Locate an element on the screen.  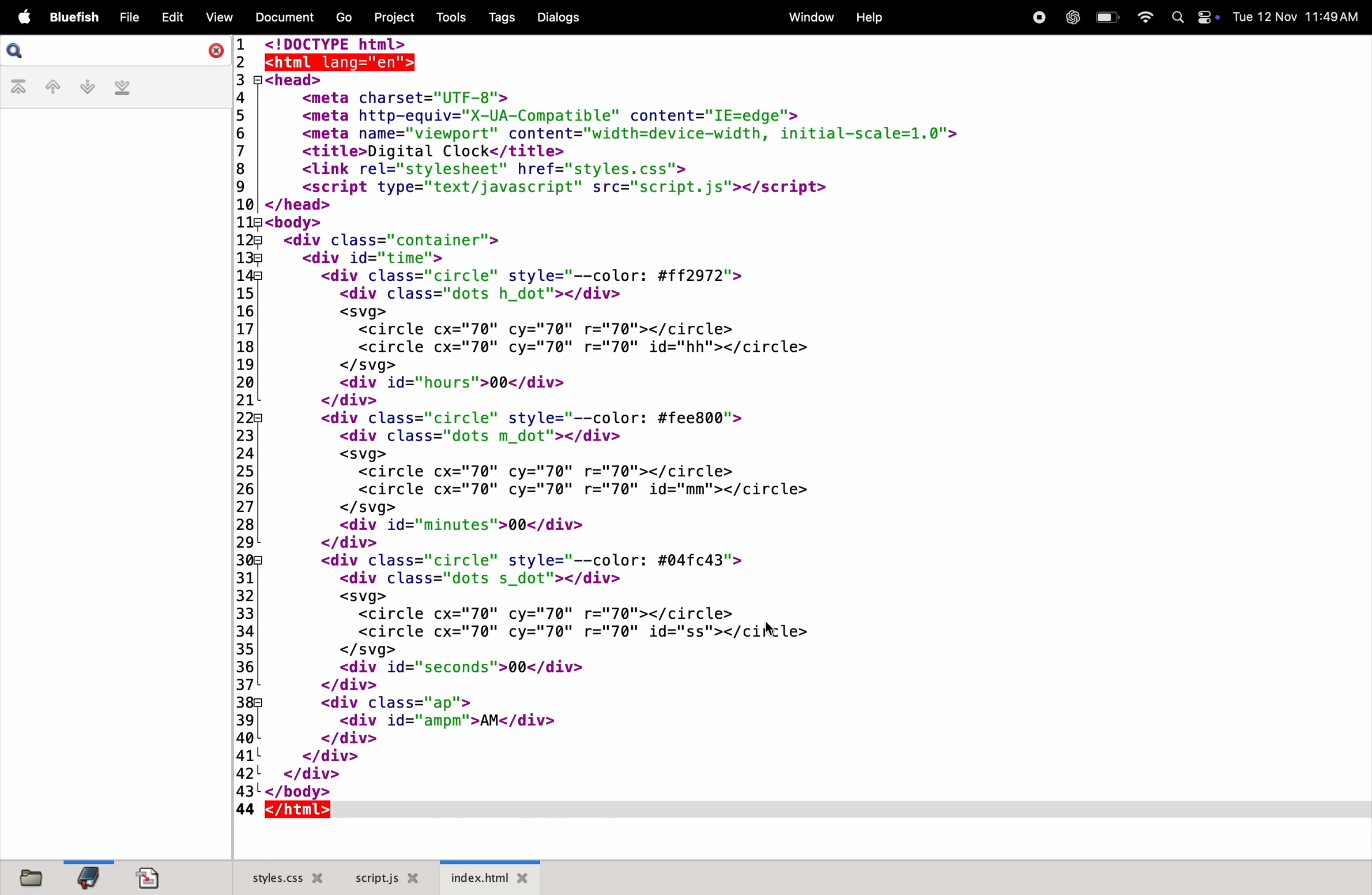
close is located at coordinates (214, 51).